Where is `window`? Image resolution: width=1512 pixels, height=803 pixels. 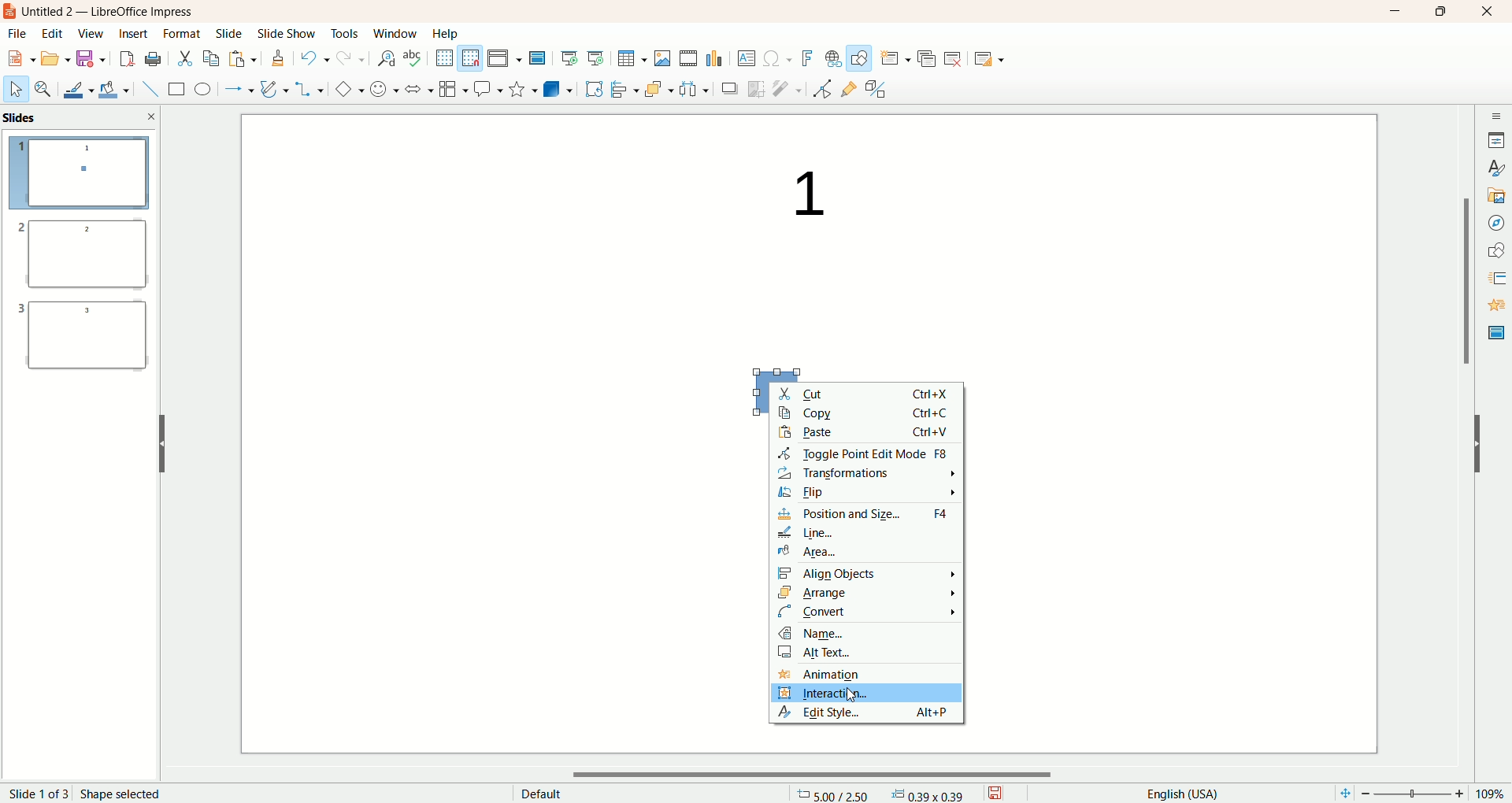
window is located at coordinates (395, 33).